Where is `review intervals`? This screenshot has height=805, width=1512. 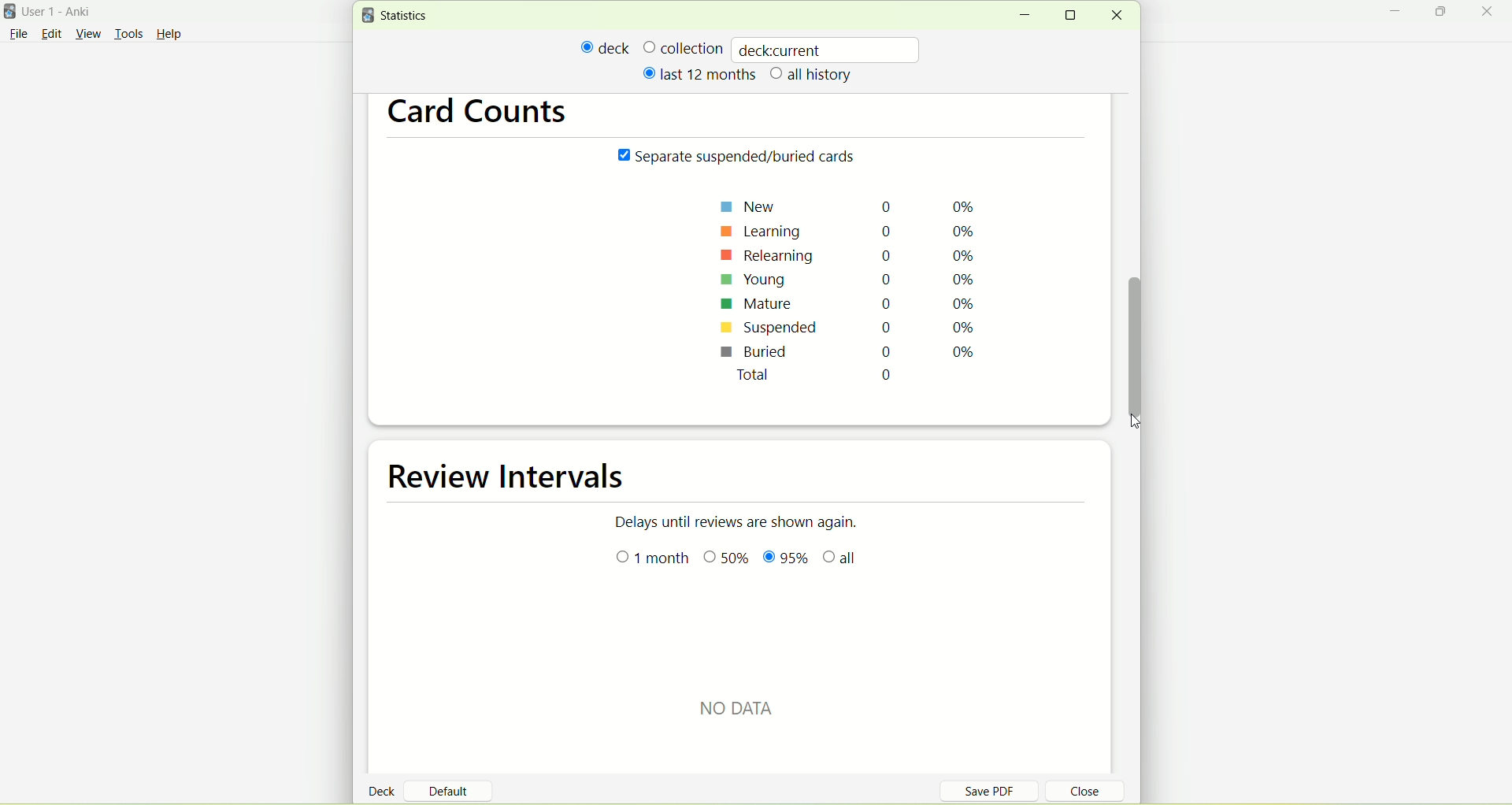
review intervals is located at coordinates (518, 478).